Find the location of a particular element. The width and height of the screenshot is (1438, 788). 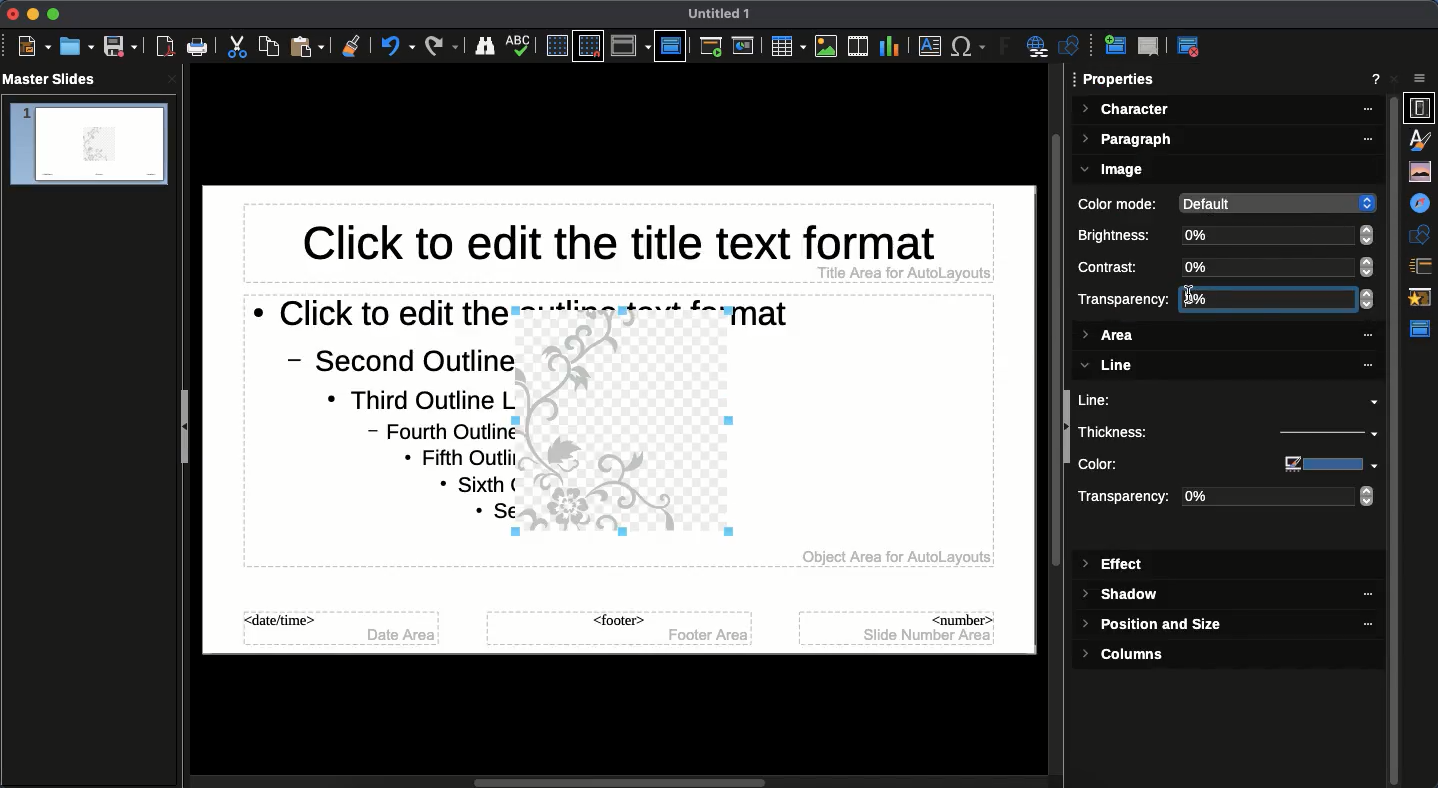

Image added is located at coordinates (628, 428).